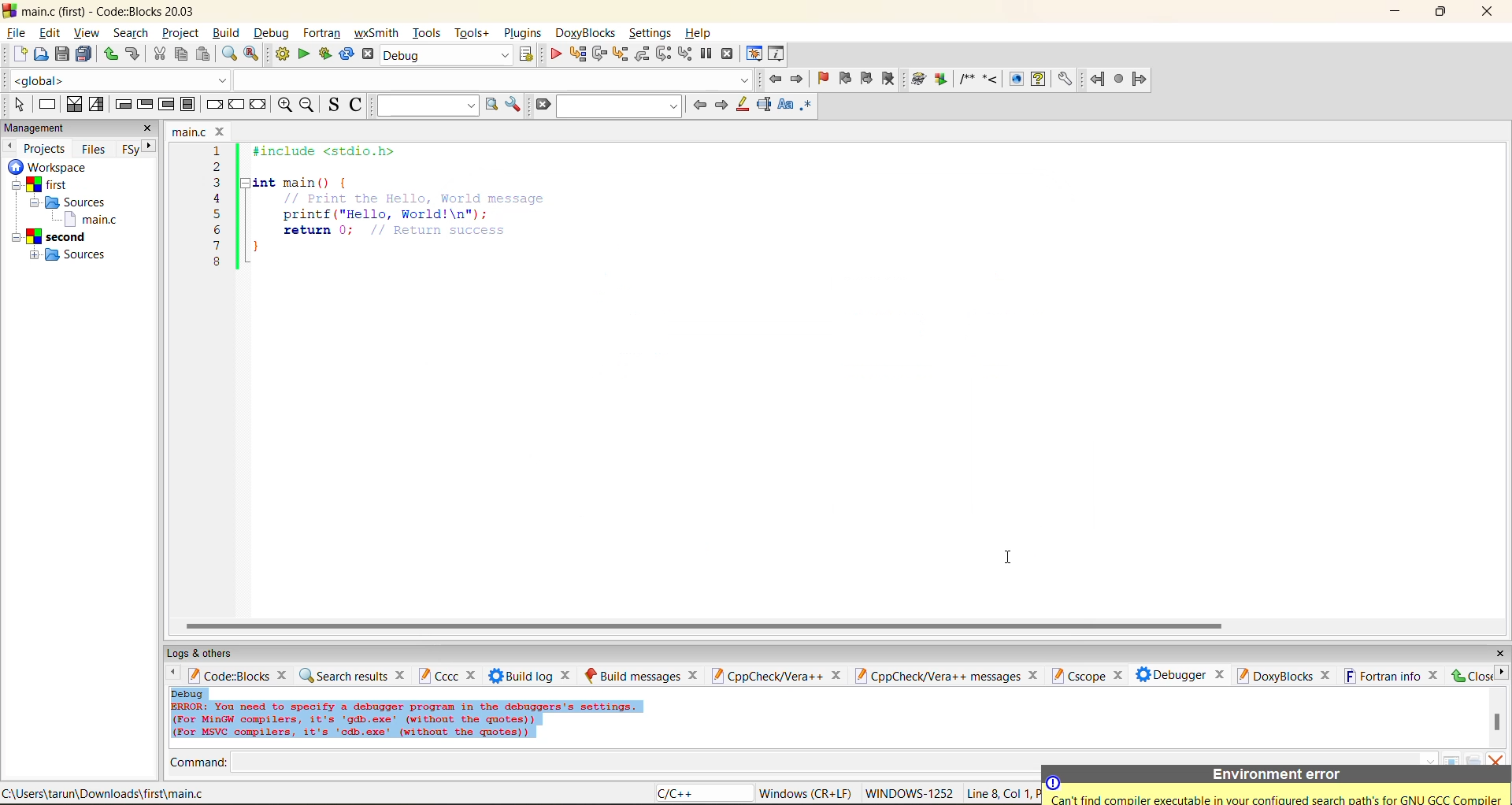  Describe the element at coordinates (1383, 676) in the screenshot. I see `fortran info` at that location.